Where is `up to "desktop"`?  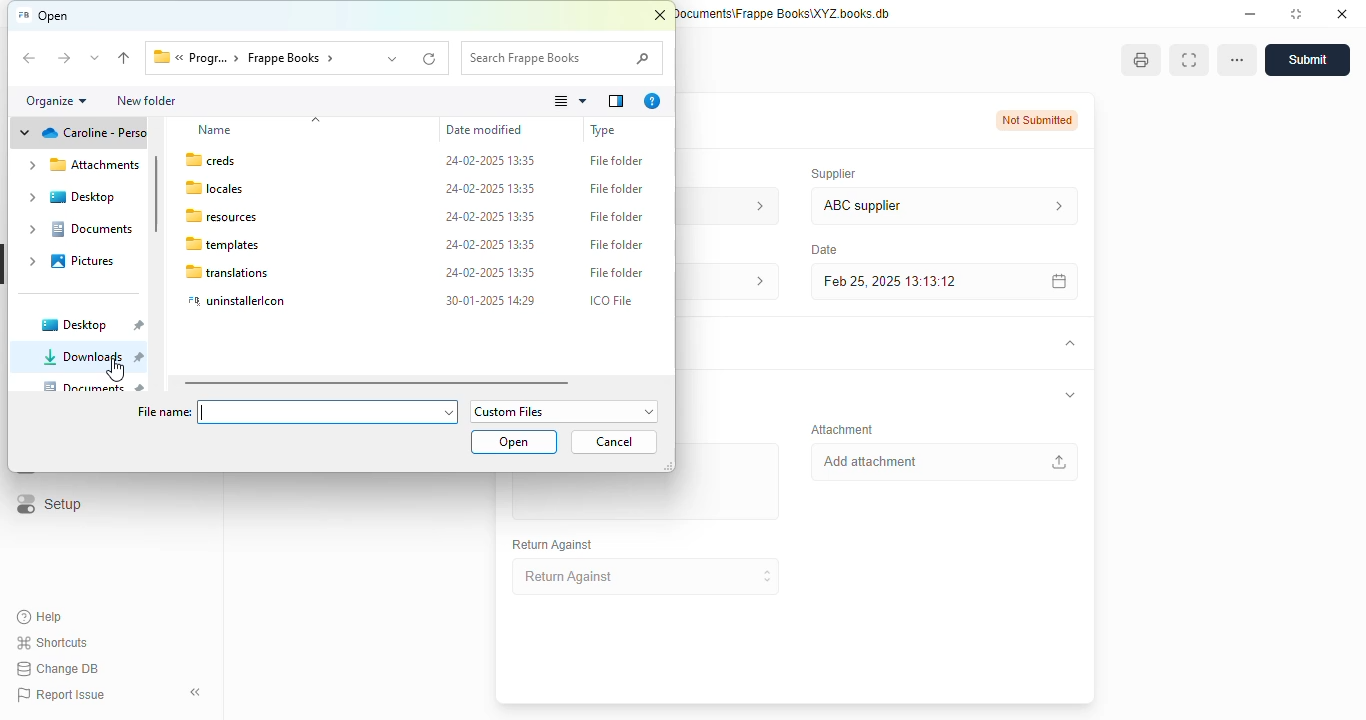 up to "desktop" is located at coordinates (125, 59).